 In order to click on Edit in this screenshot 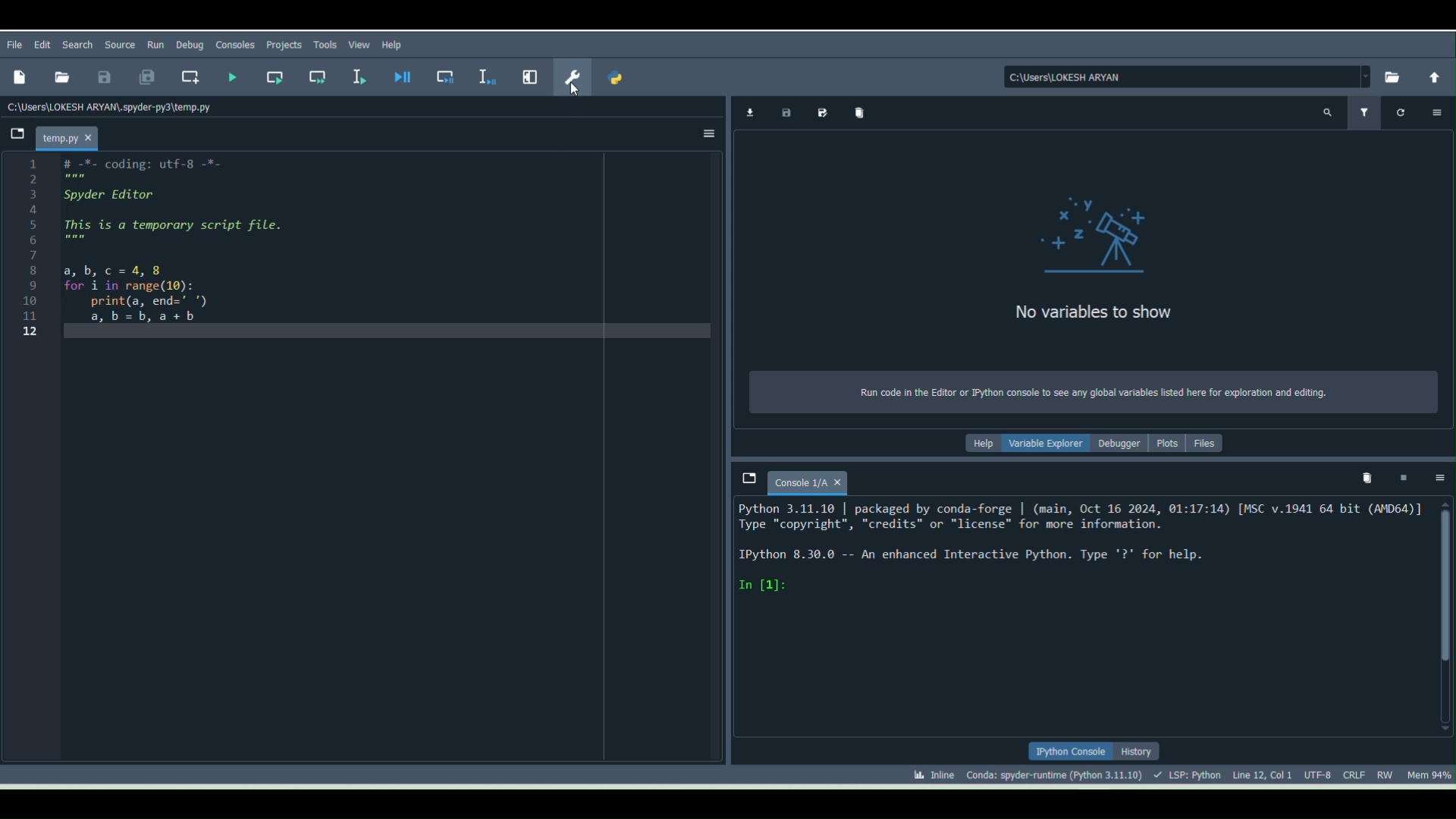, I will do `click(45, 45)`.